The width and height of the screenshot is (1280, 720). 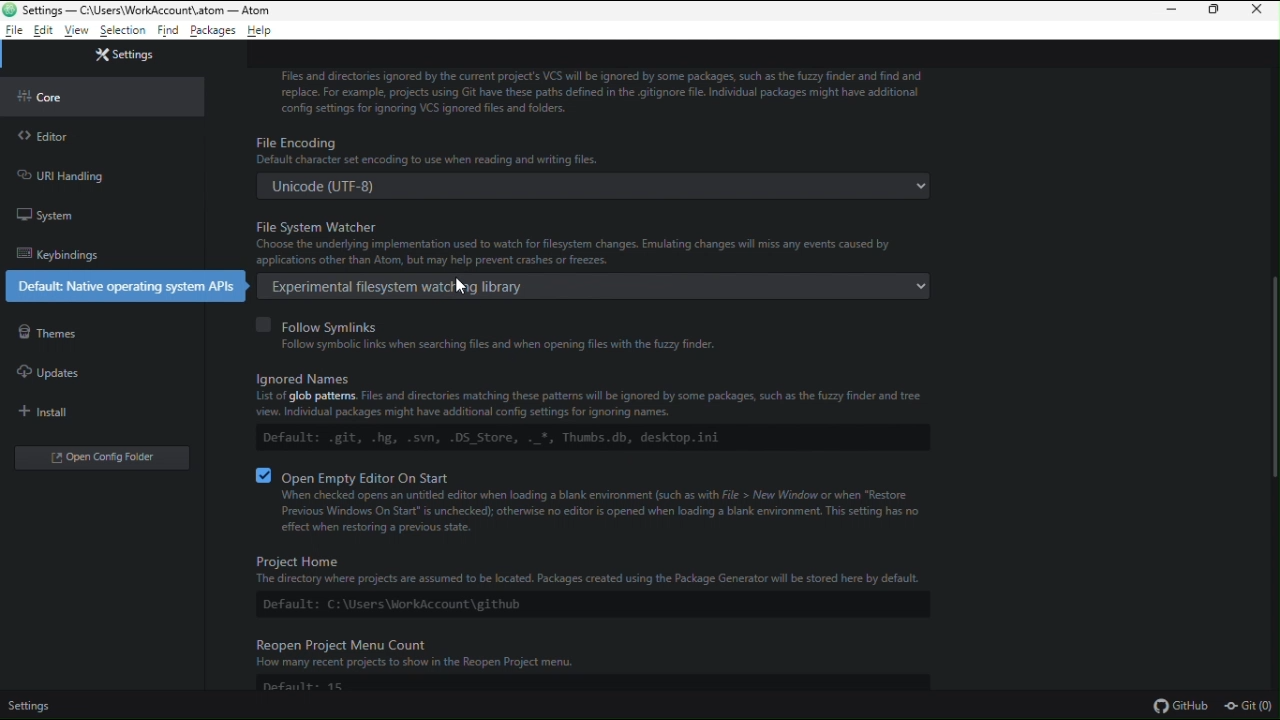 I want to click on git, so click(x=1250, y=707).